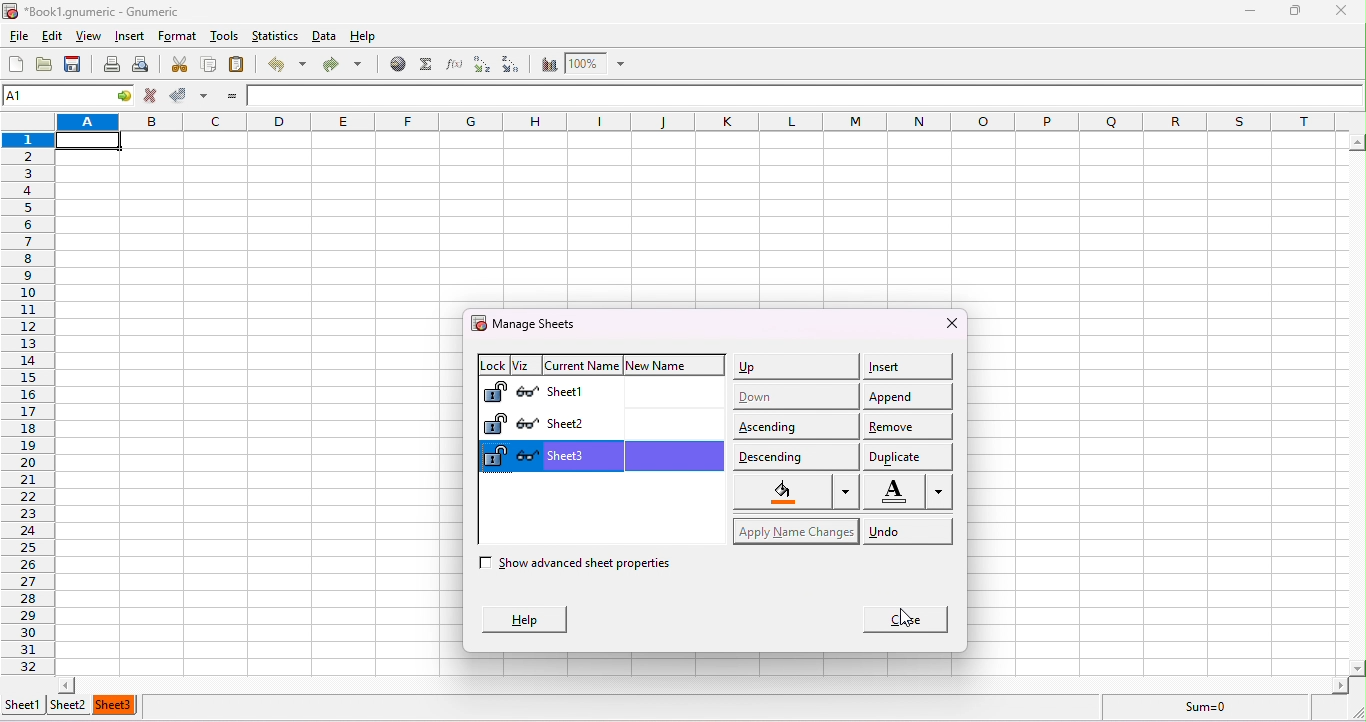  I want to click on cell name A1, so click(55, 95).